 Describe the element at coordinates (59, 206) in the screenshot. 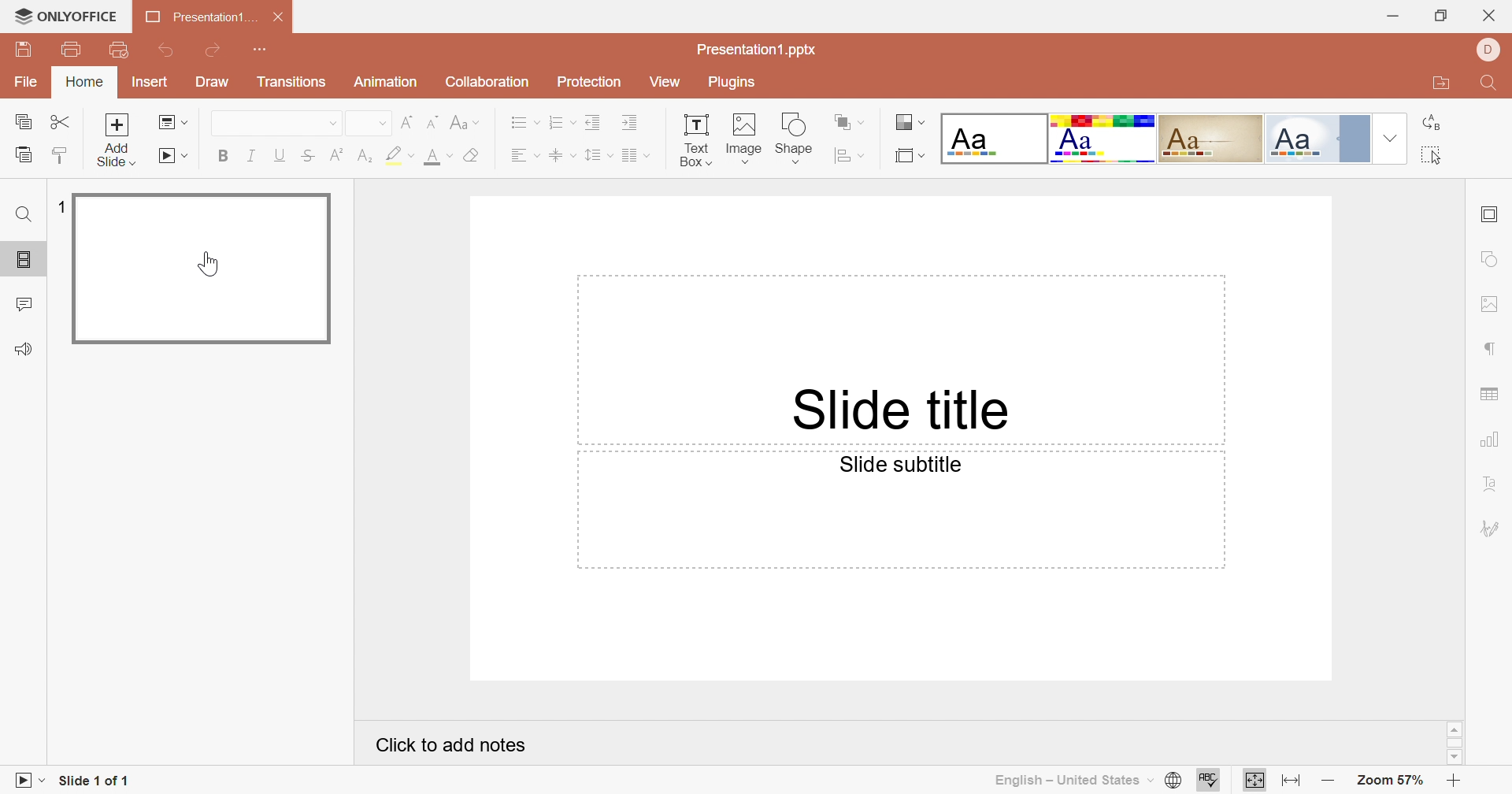

I see `1` at that location.